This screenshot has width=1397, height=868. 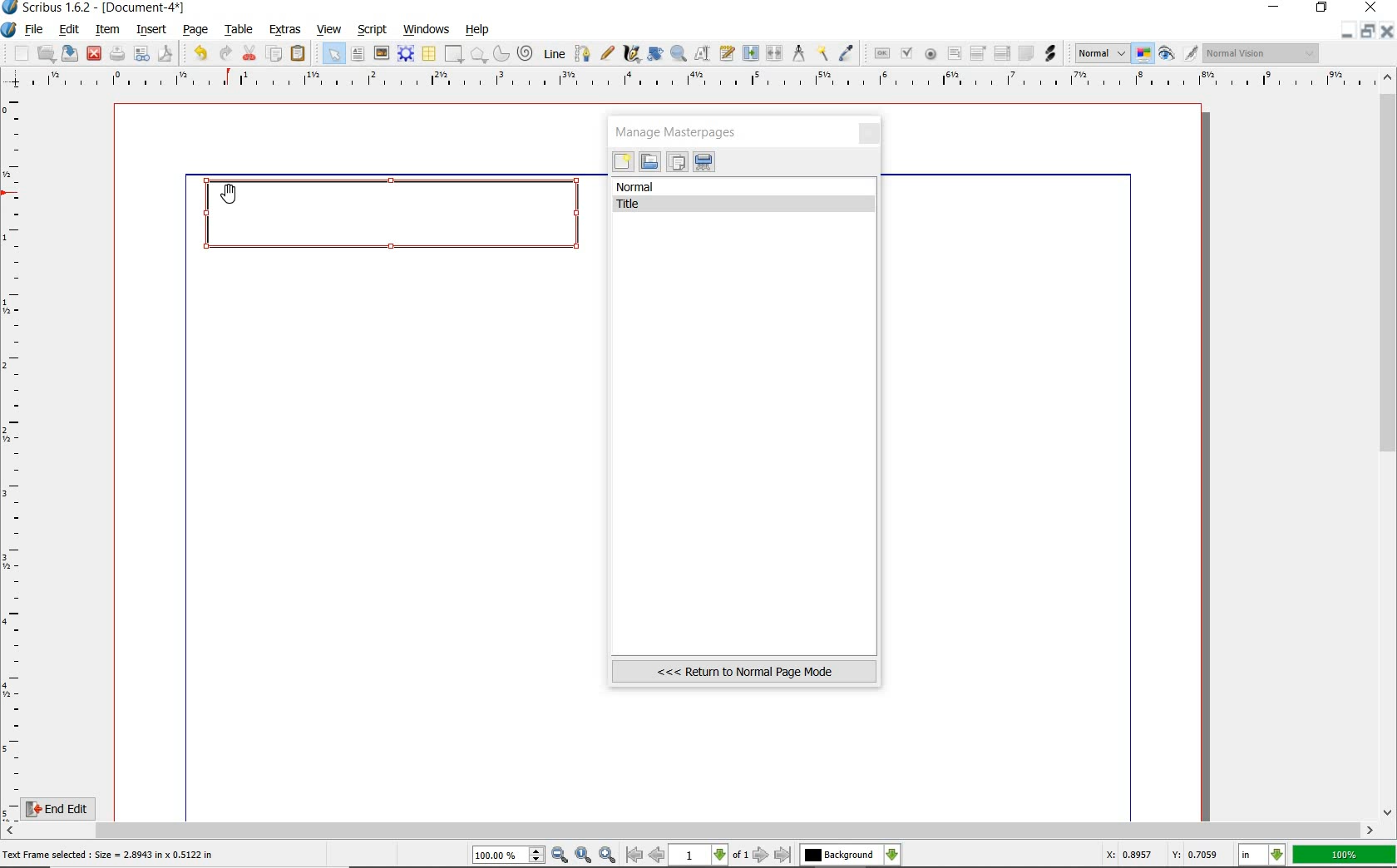 What do you see at coordinates (299, 54) in the screenshot?
I see `paste` at bounding box center [299, 54].